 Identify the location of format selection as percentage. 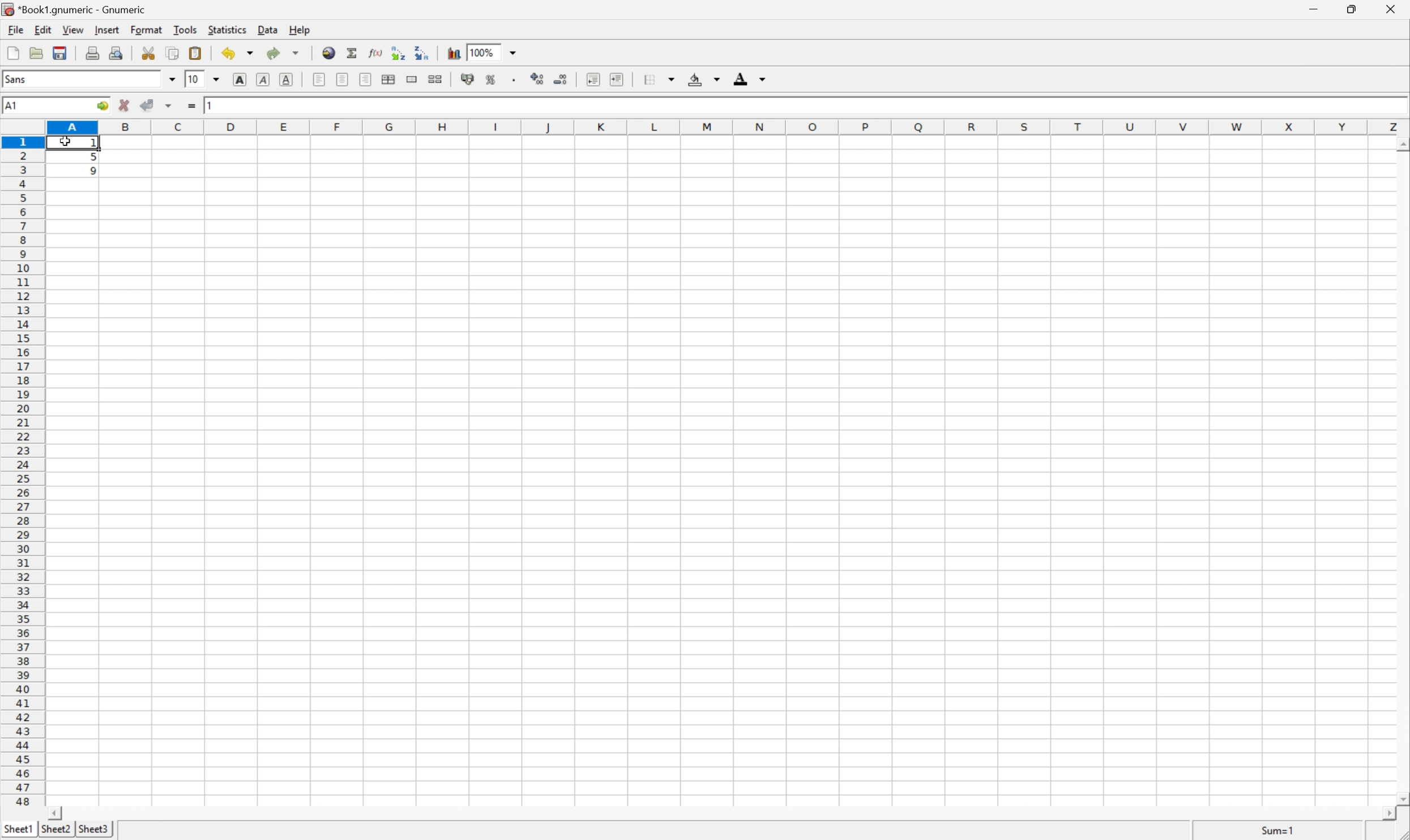
(491, 79).